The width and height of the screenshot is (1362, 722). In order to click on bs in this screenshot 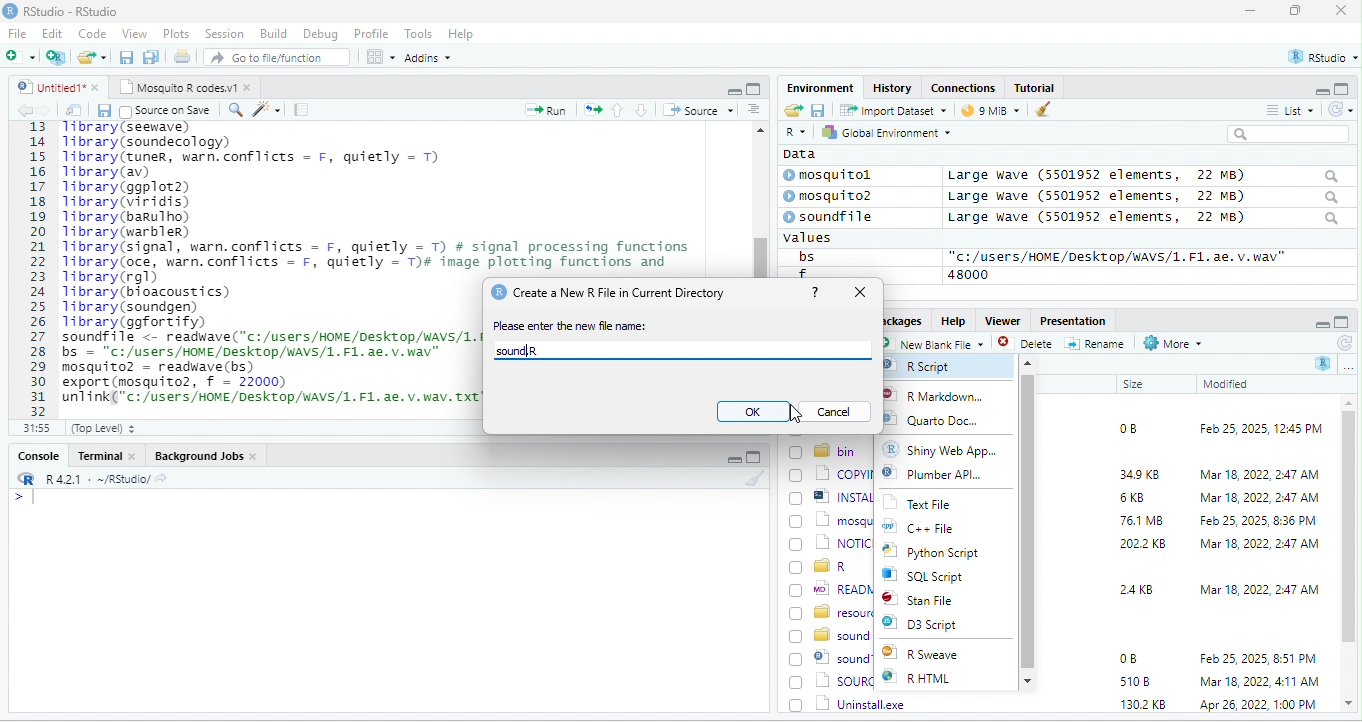, I will do `click(803, 256)`.